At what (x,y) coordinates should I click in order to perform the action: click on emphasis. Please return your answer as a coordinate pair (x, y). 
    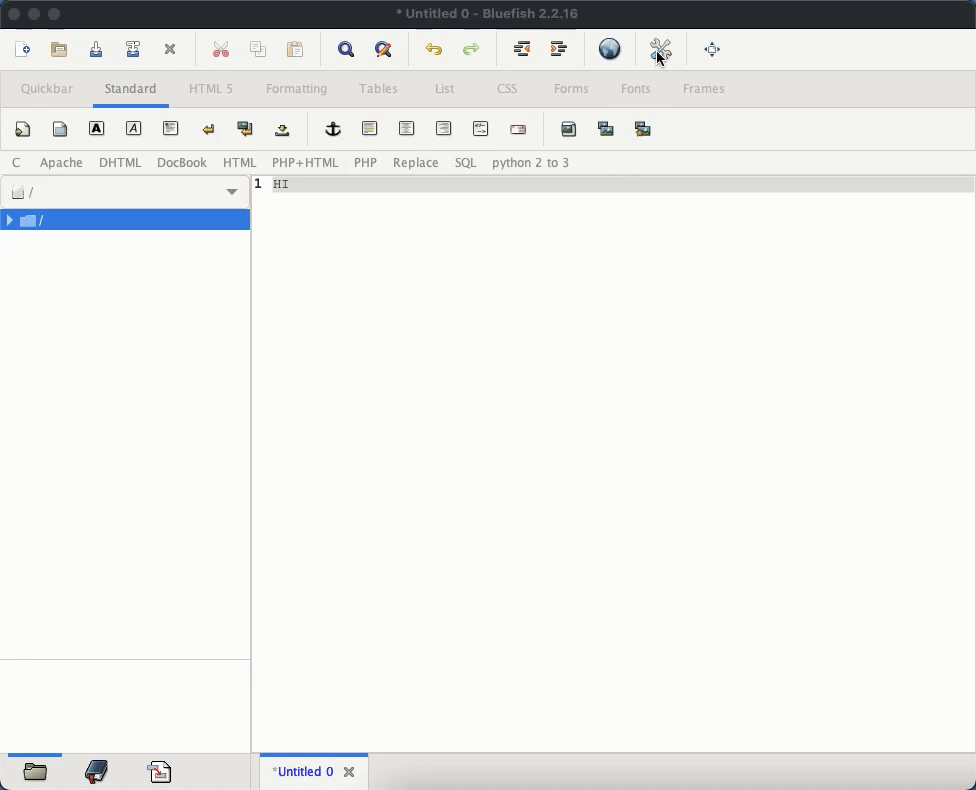
    Looking at the image, I should click on (134, 128).